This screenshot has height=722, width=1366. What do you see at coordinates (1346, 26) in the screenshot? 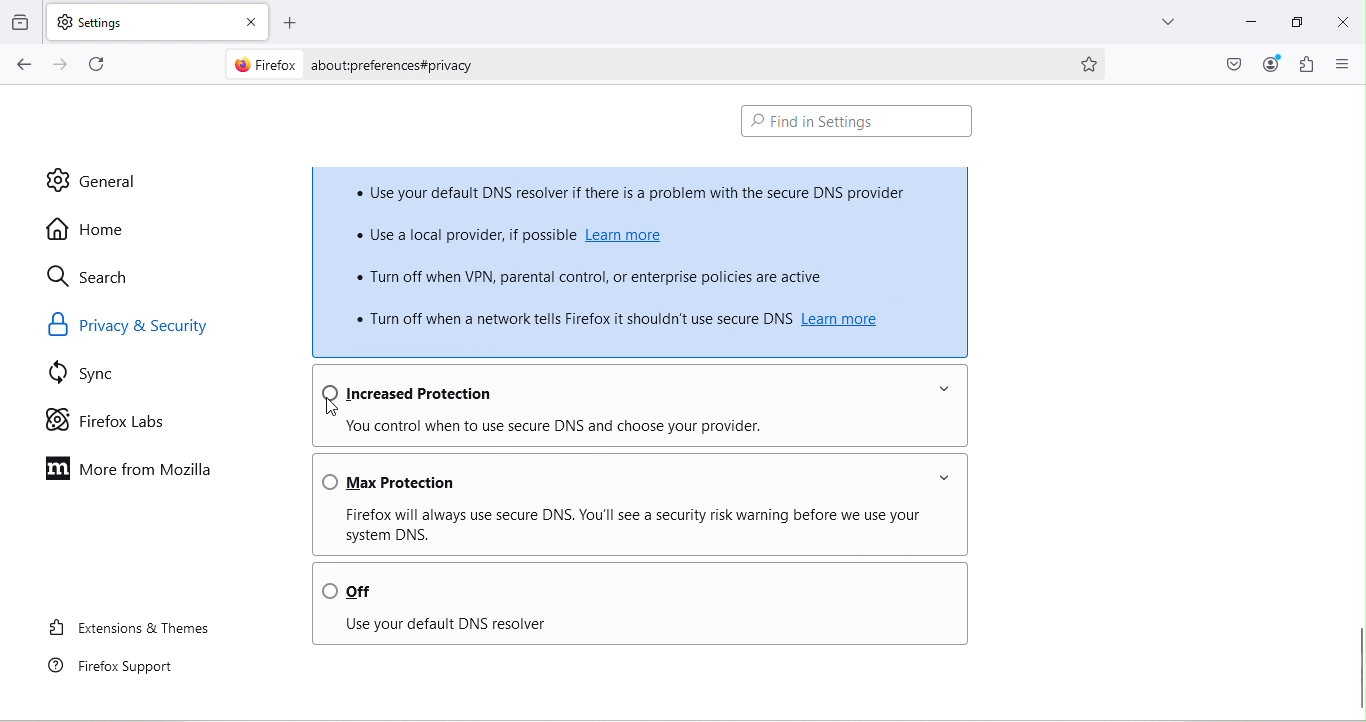
I see `close` at bounding box center [1346, 26].